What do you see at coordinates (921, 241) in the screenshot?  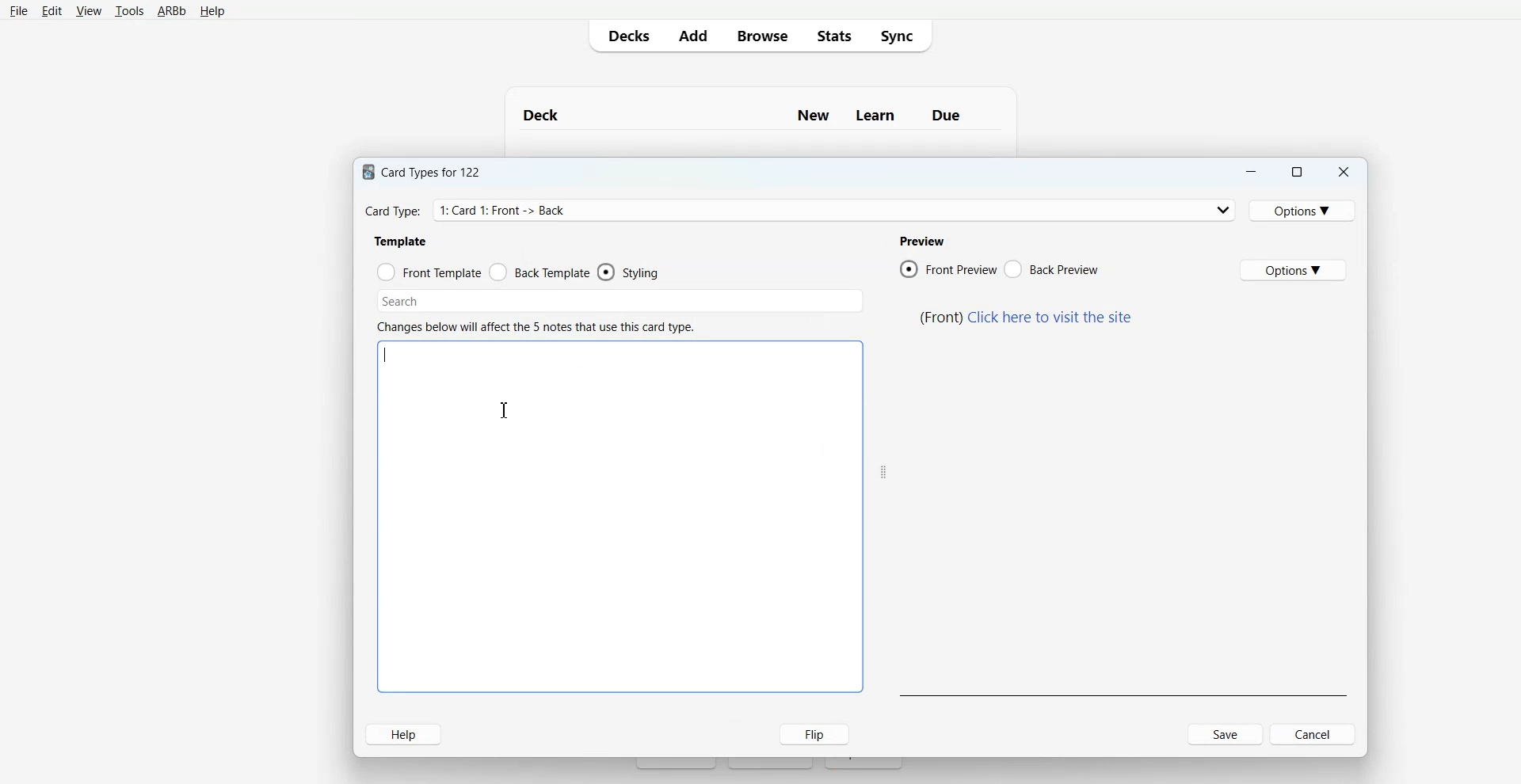 I see `text 3` at bounding box center [921, 241].